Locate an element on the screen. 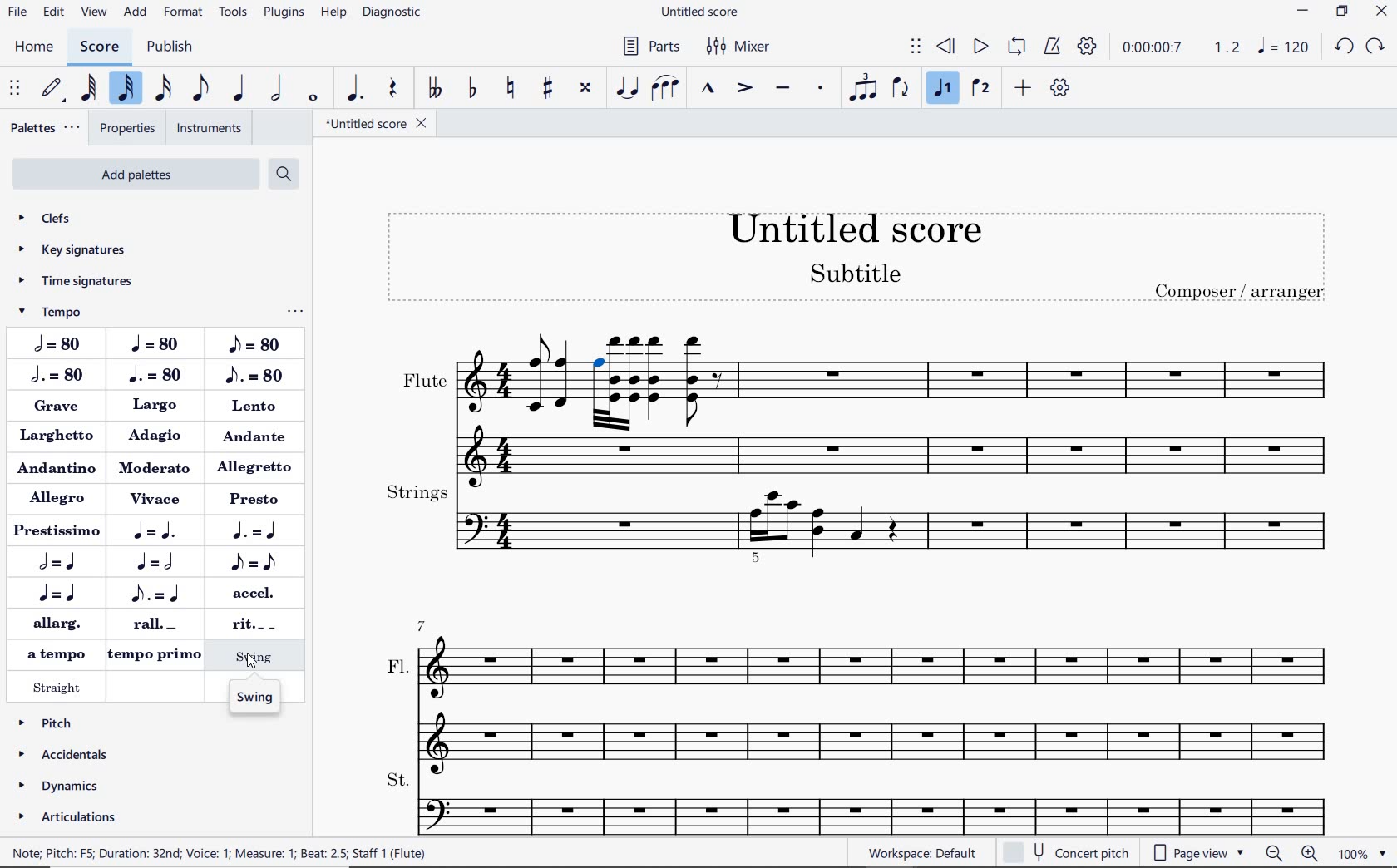  SLUR is located at coordinates (664, 89).